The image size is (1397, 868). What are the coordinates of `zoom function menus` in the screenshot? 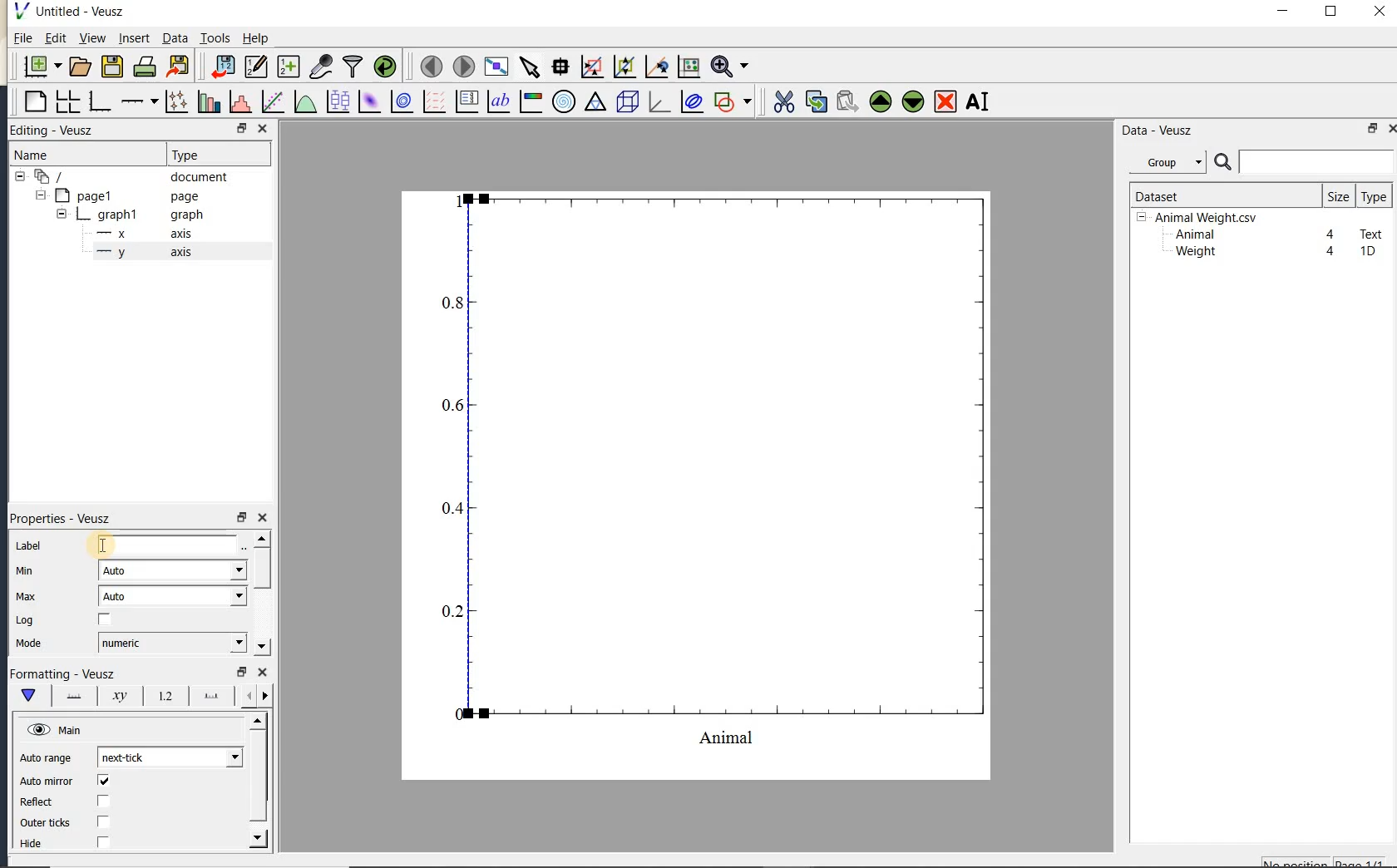 It's located at (729, 67).